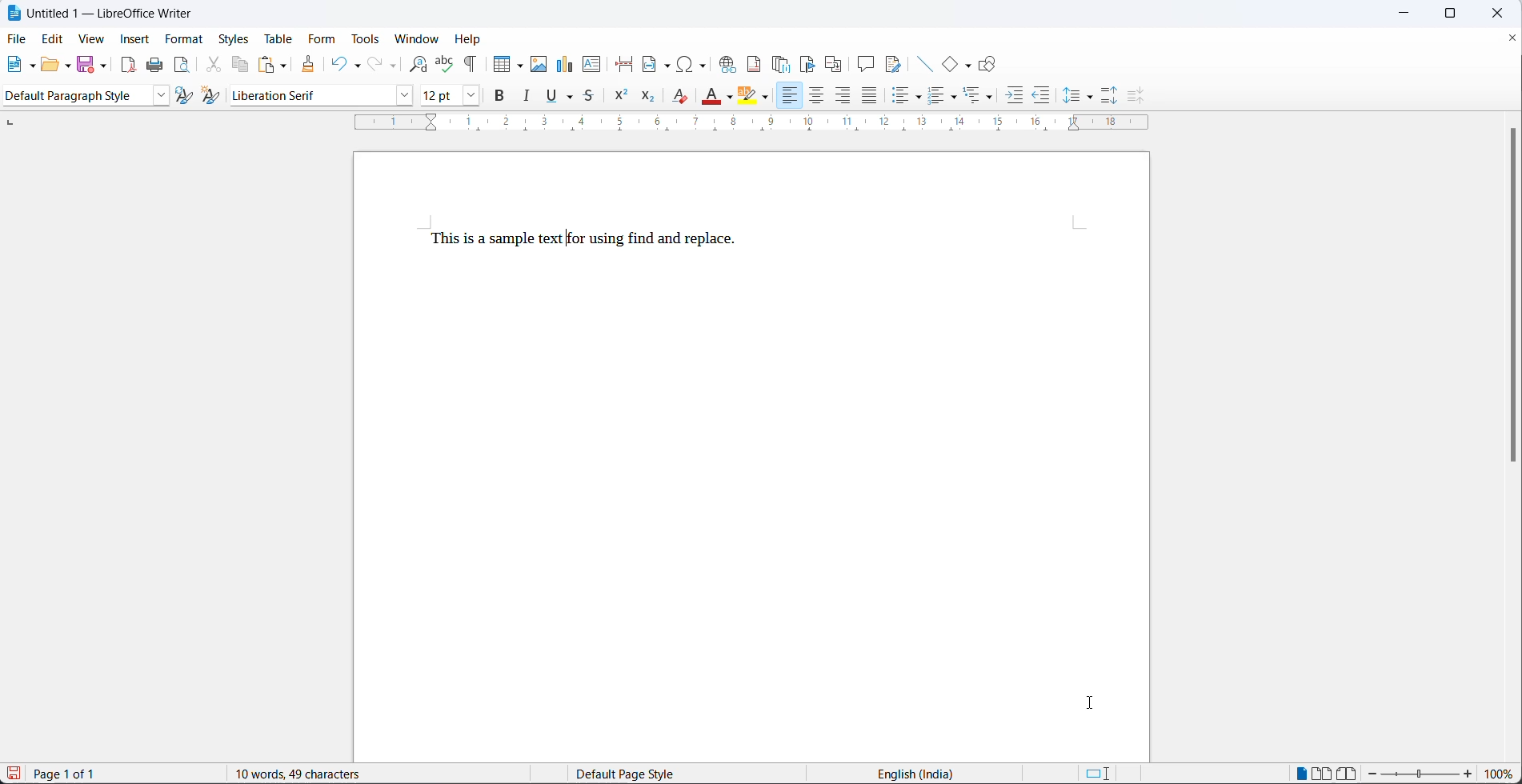 This screenshot has height=784, width=1522. I want to click on cut, so click(214, 66).